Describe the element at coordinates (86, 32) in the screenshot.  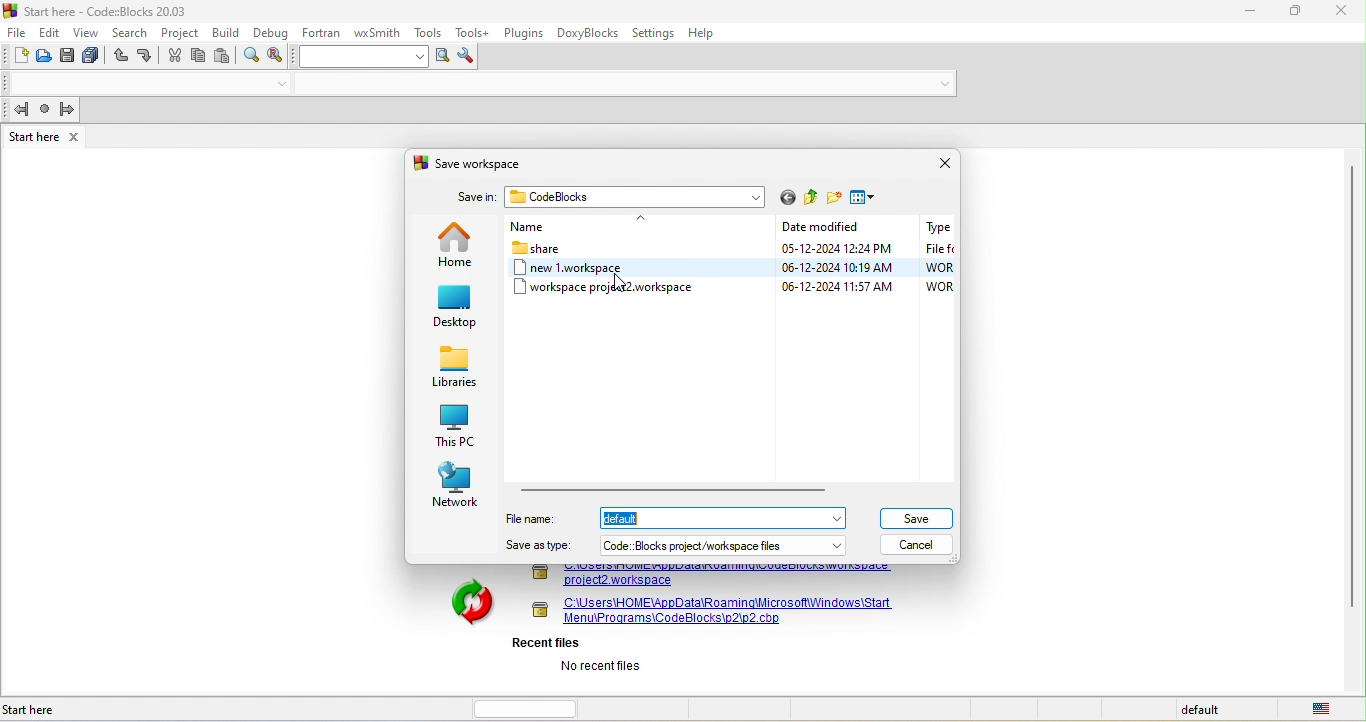
I see `view` at that location.